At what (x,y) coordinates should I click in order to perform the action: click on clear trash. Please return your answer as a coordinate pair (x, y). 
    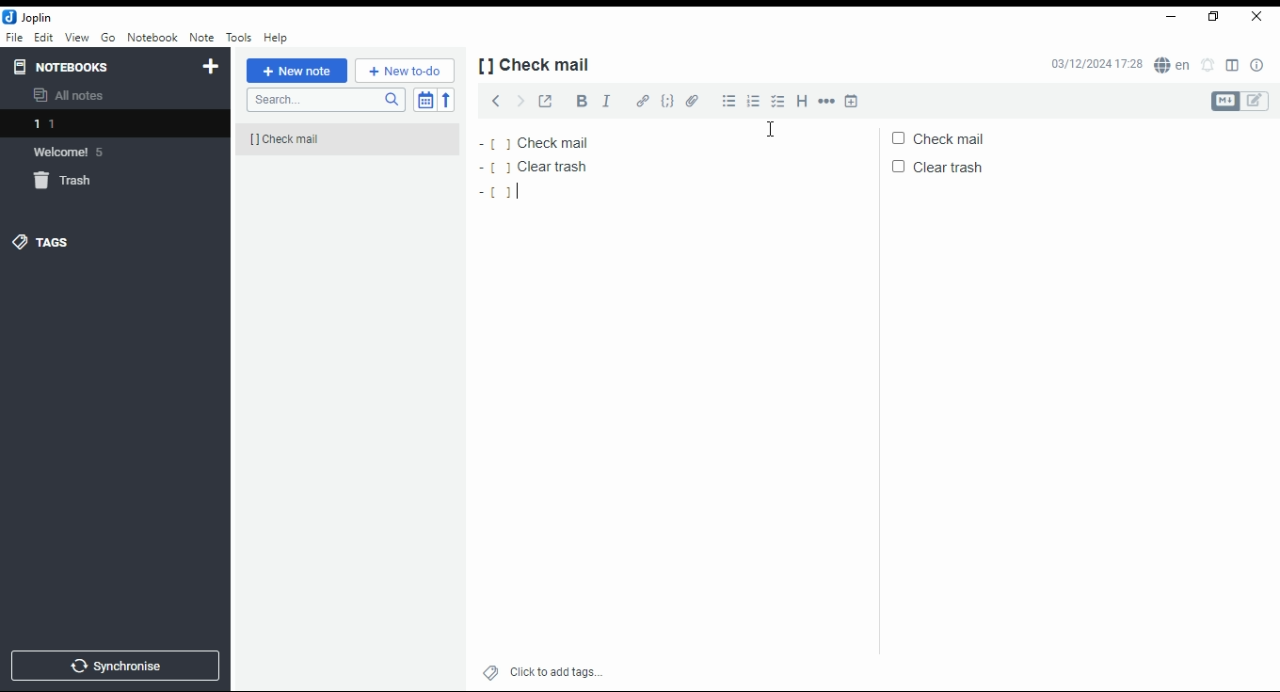
    Looking at the image, I should click on (948, 165).